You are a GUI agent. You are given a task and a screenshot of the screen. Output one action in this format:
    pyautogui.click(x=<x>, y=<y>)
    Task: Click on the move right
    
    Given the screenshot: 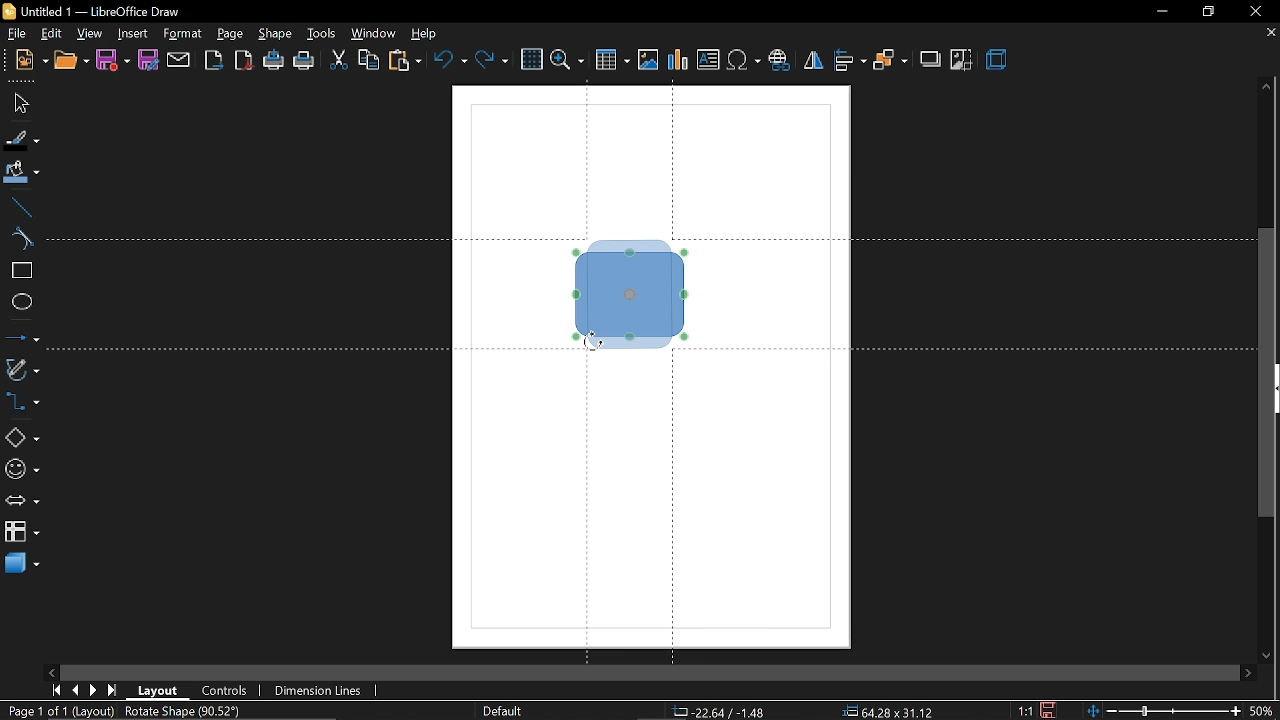 What is the action you would take?
    pyautogui.click(x=1246, y=673)
    